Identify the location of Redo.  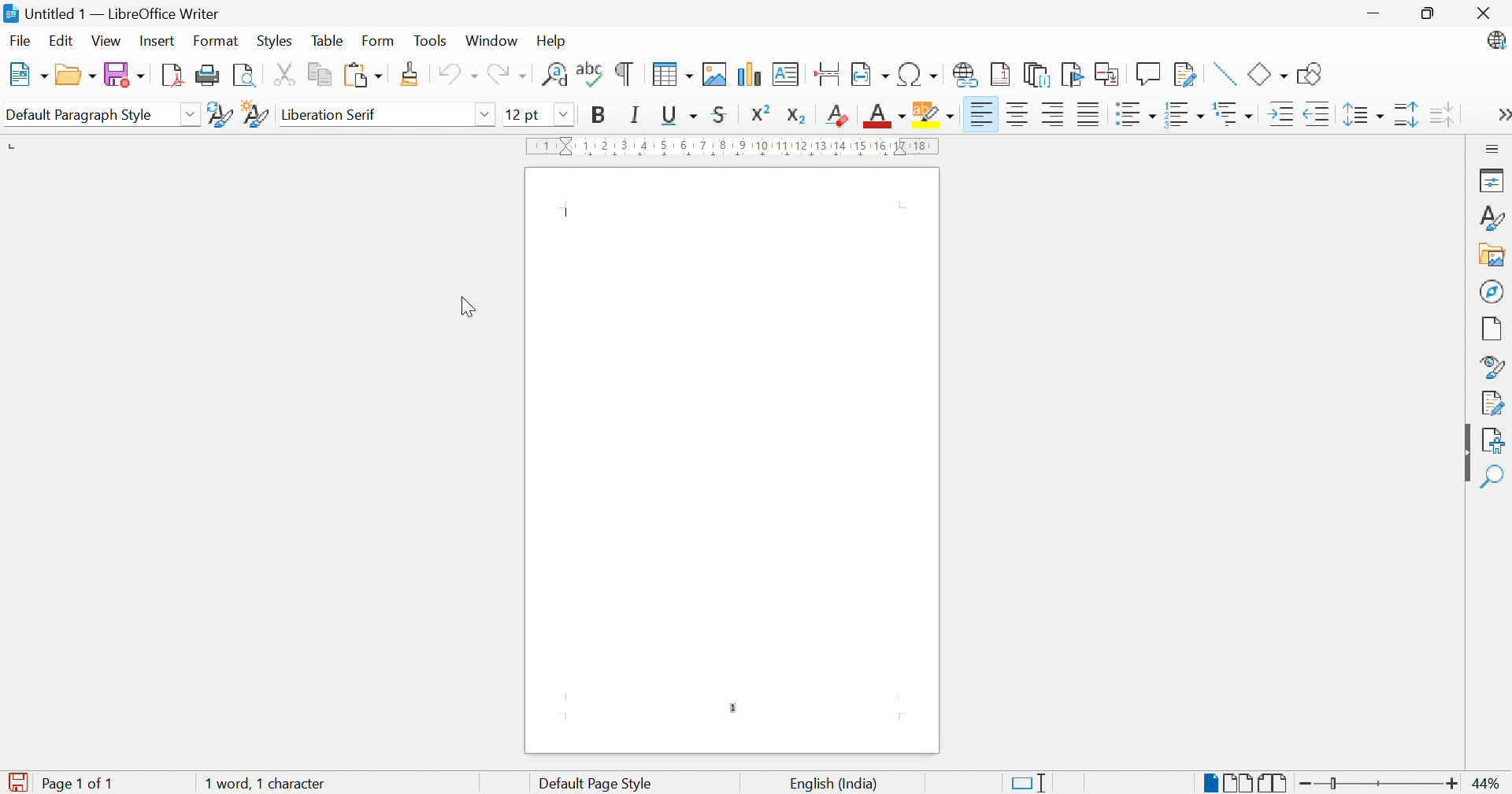
(508, 76).